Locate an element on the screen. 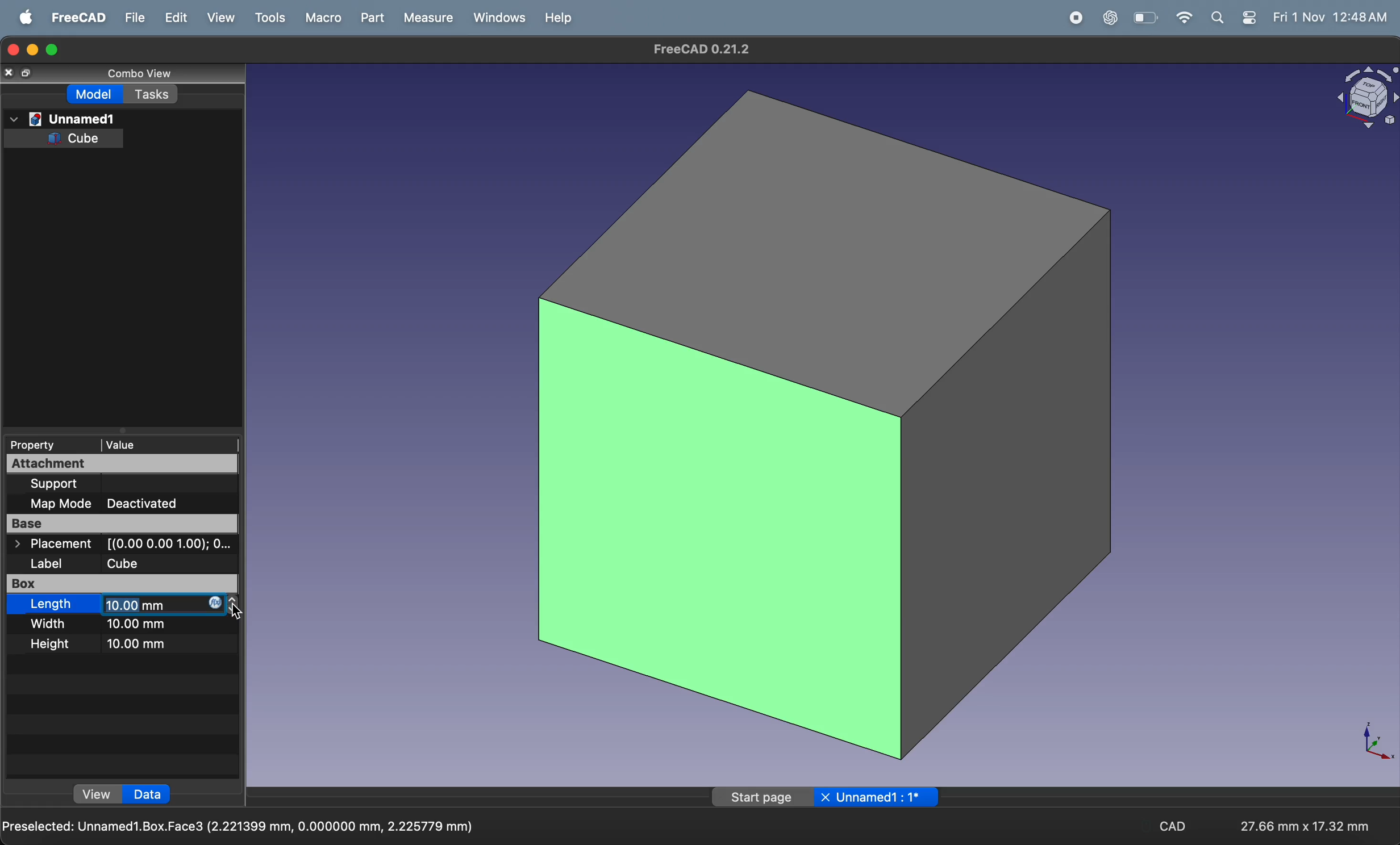 The image size is (1400, 845). deactivated is located at coordinates (155, 502).